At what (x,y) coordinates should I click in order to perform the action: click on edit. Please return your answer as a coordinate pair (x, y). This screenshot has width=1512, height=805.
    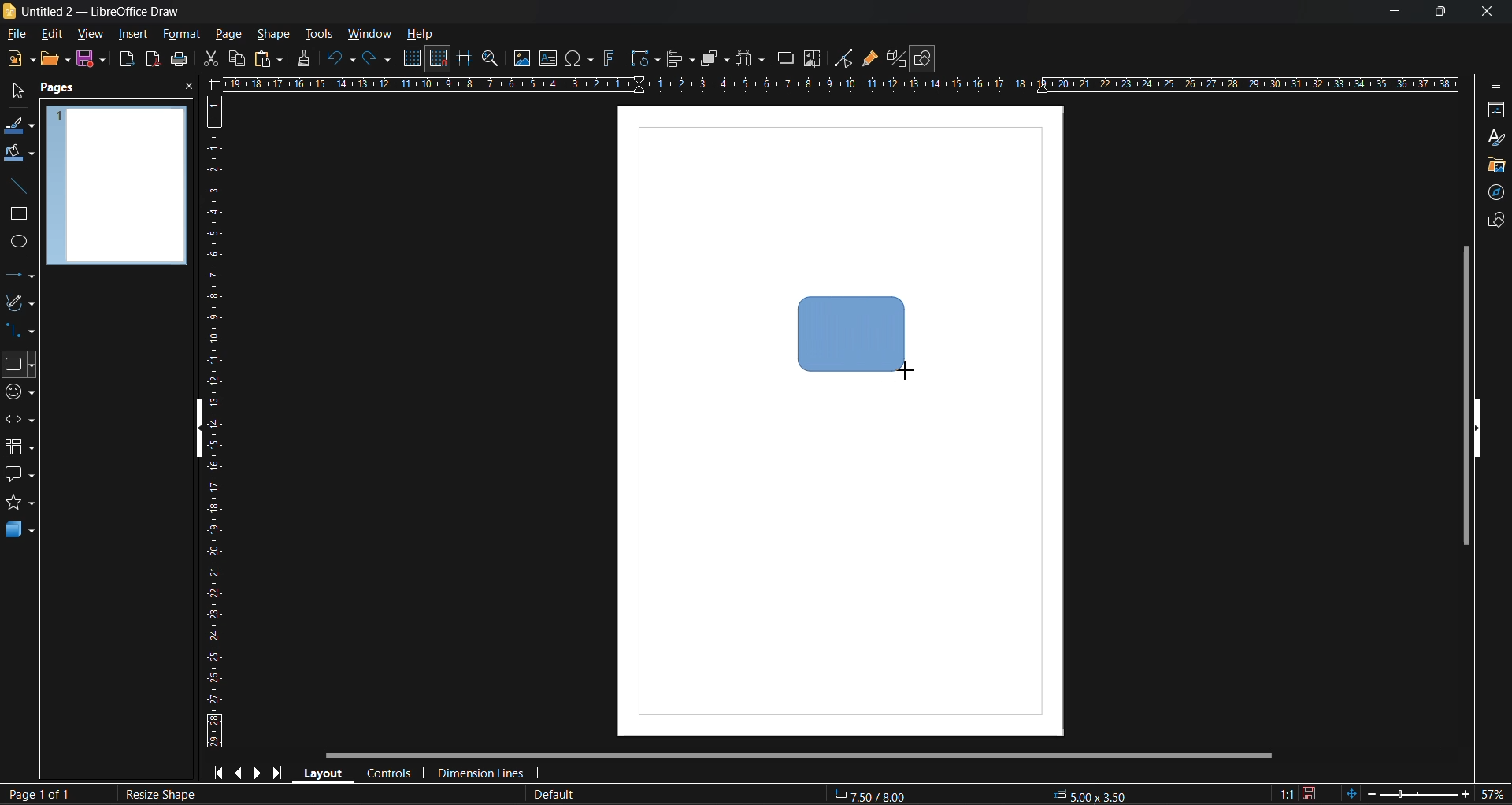
    Looking at the image, I should click on (55, 35).